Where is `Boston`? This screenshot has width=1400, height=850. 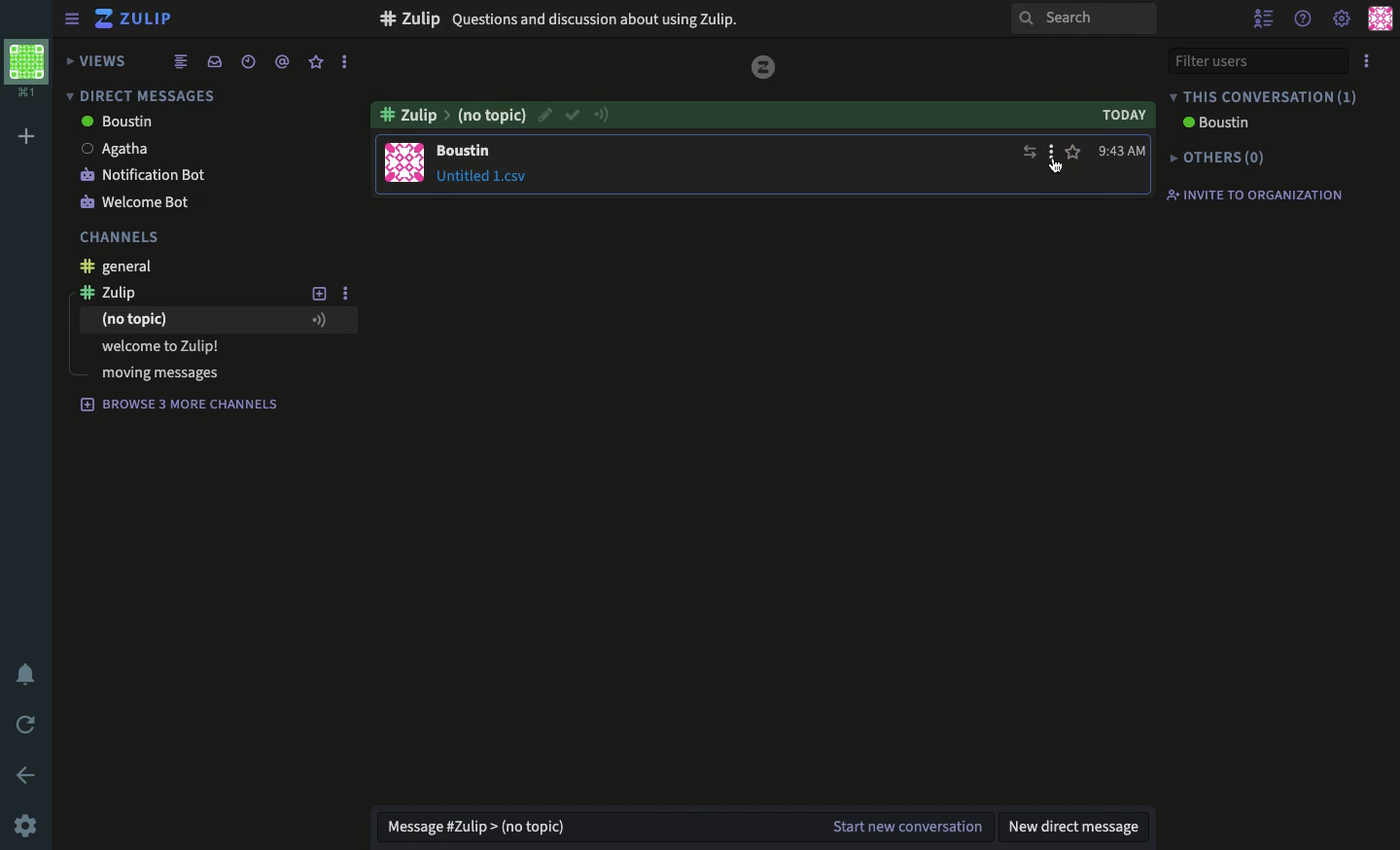 Boston is located at coordinates (1212, 125).